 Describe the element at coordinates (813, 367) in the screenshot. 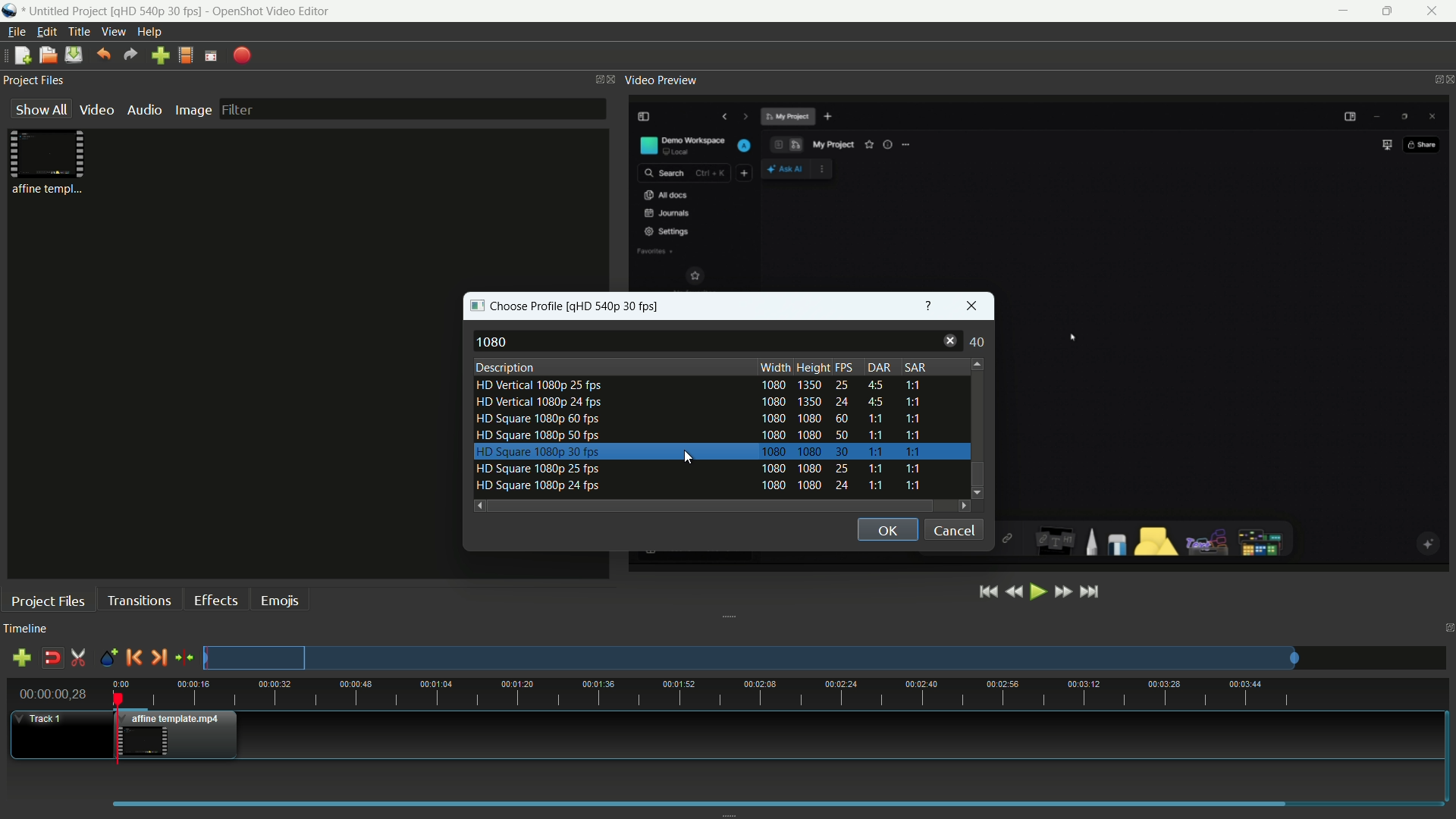

I see `height` at that location.